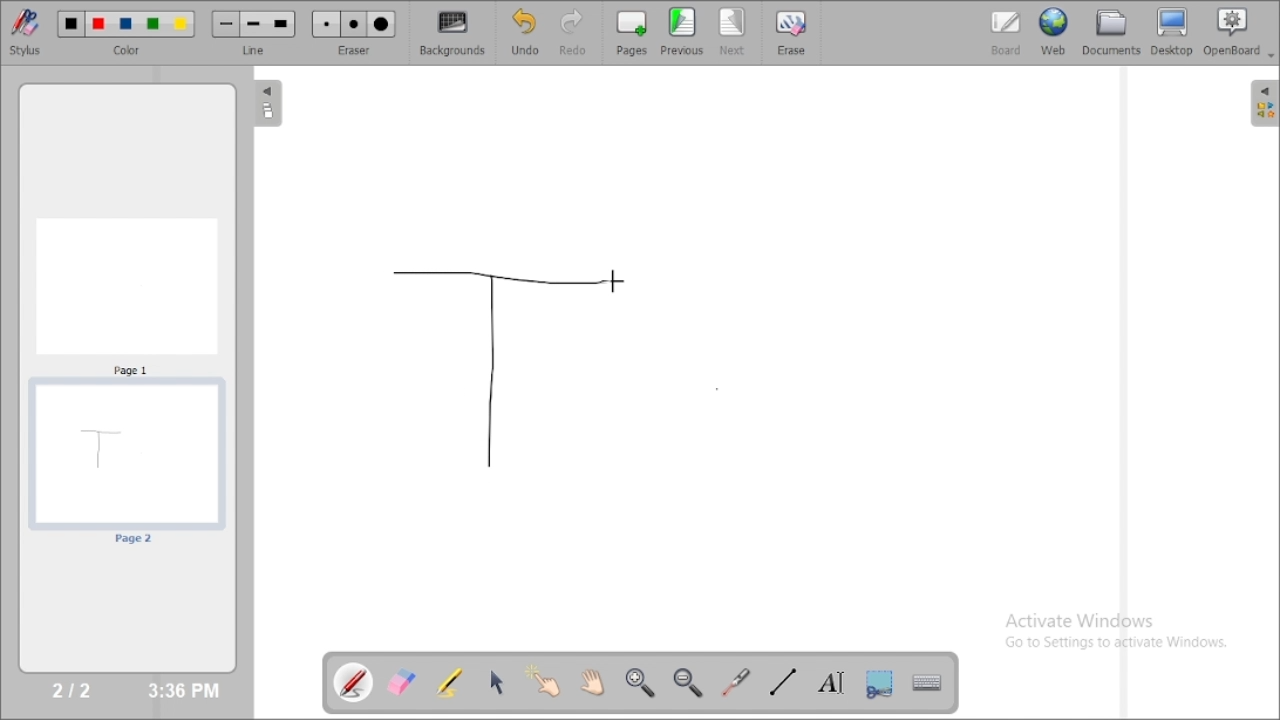 This screenshot has height=720, width=1280. What do you see at coordinates (355, 682) in the screenshot?
I see `annotate document` at bounding box center [355, 682].